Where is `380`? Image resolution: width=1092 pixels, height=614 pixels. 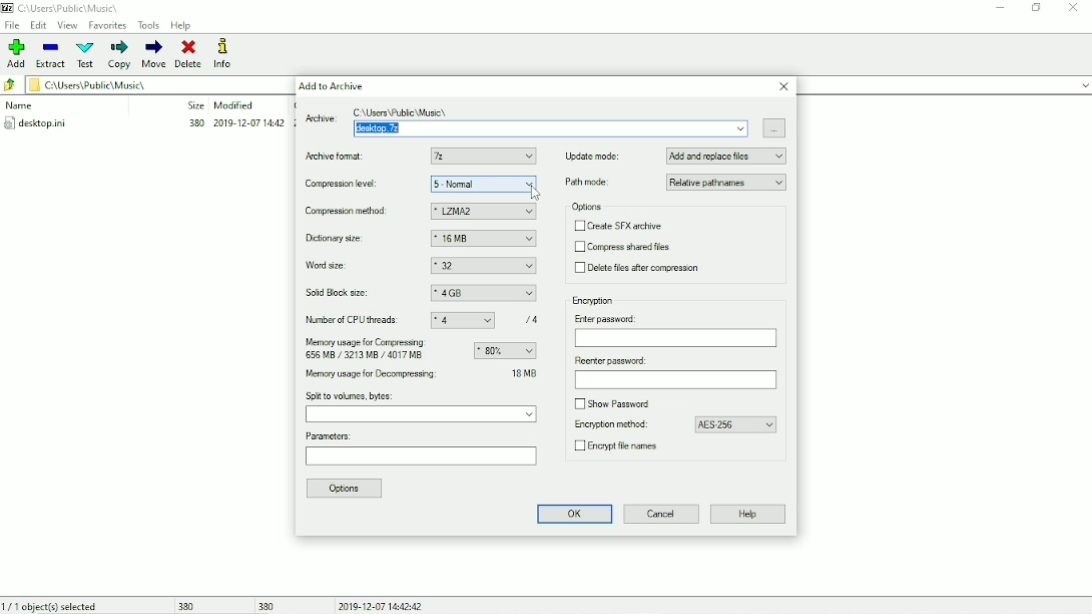
380 is located at coordinates (184, 606).